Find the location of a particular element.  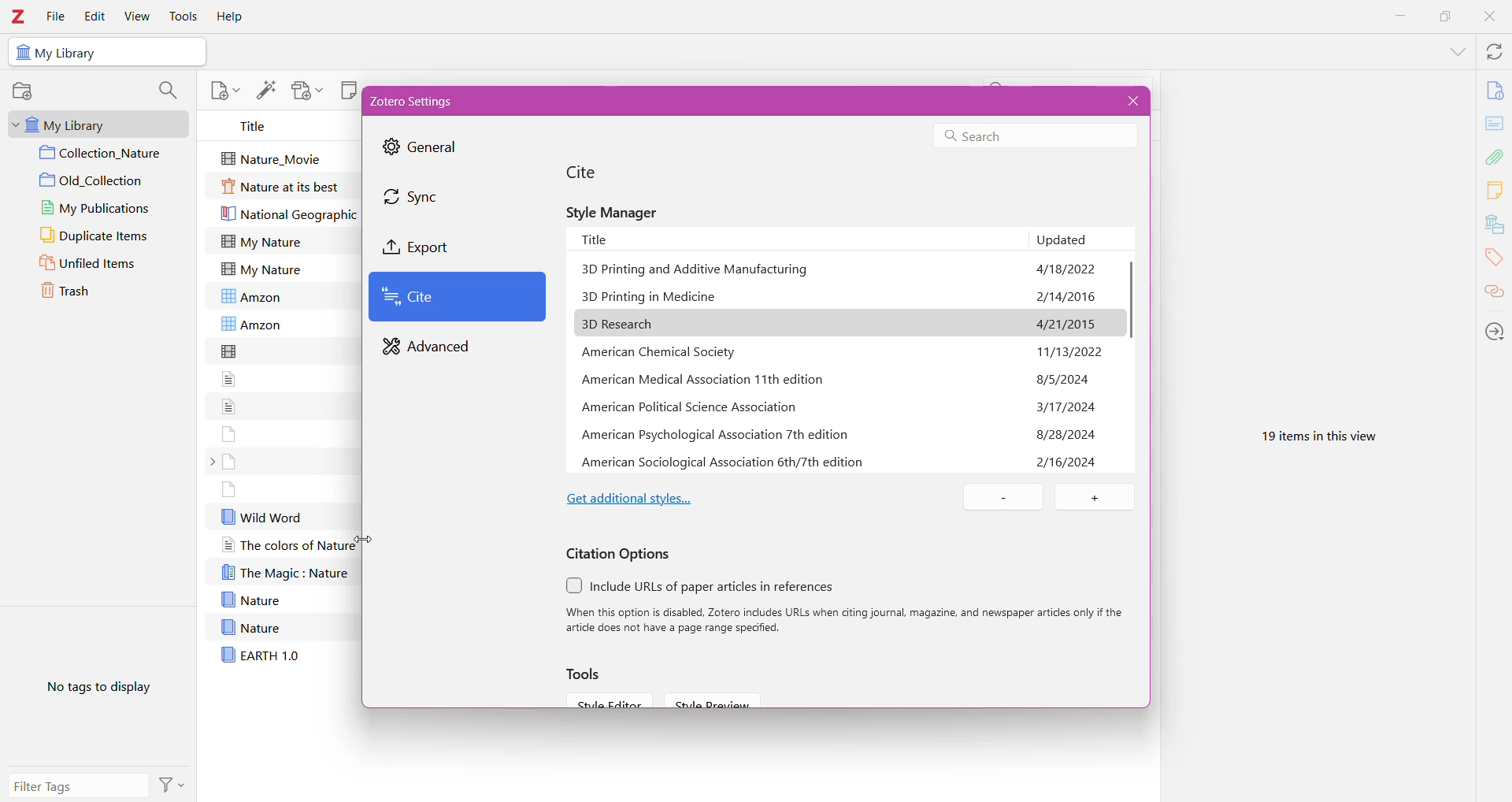

Tags is located at coordinates (1495, 260).